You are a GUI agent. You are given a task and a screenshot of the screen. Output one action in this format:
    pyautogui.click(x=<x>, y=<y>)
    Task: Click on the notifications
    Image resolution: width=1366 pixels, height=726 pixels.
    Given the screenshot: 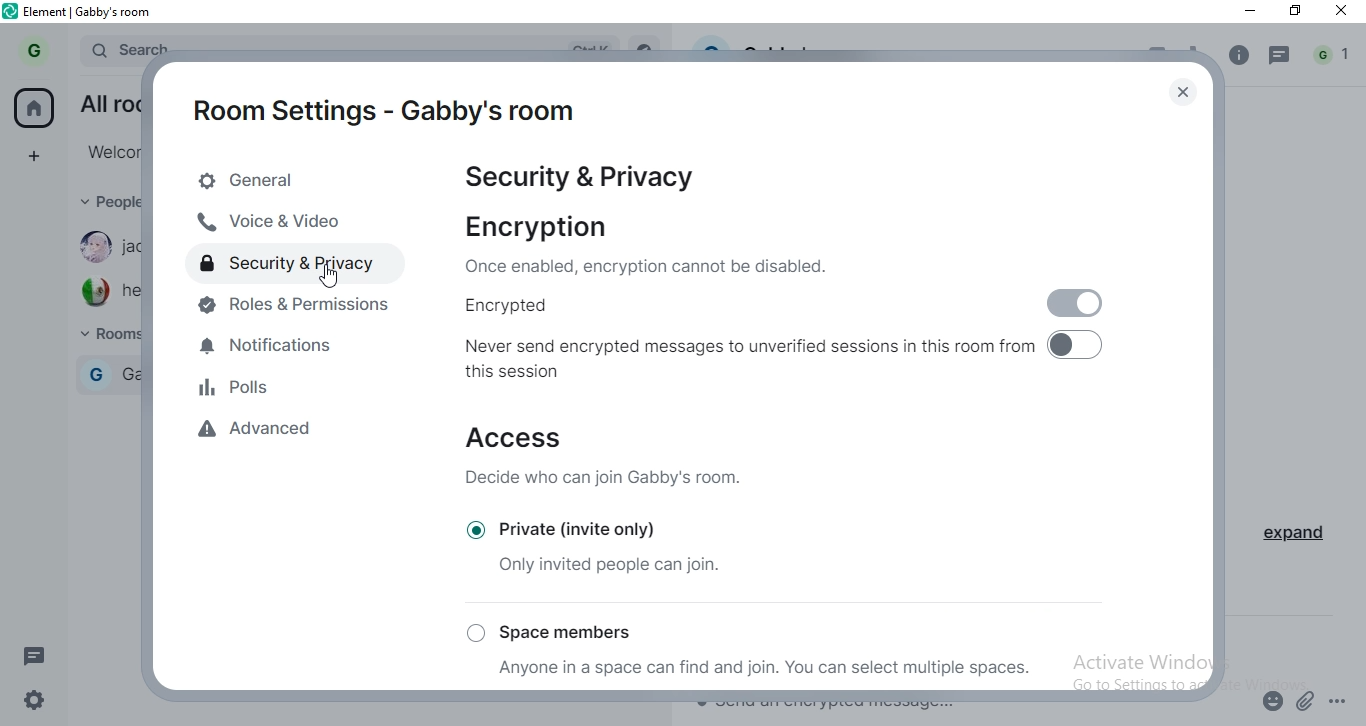 What is the action you would take?
    pyautogui.click(x=290, y=351)
    